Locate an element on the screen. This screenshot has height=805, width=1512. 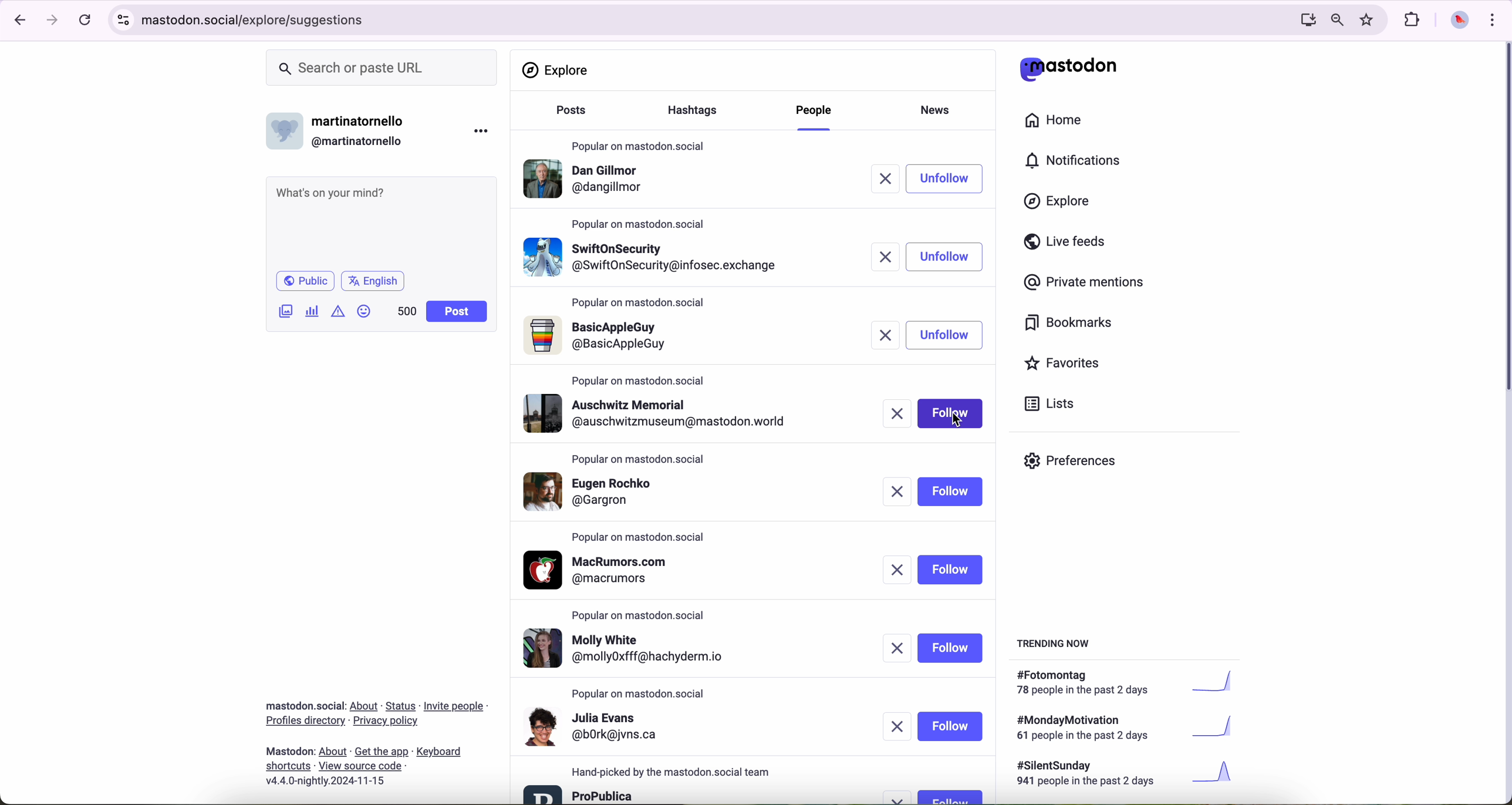
about is located at coordinates (376, 739).